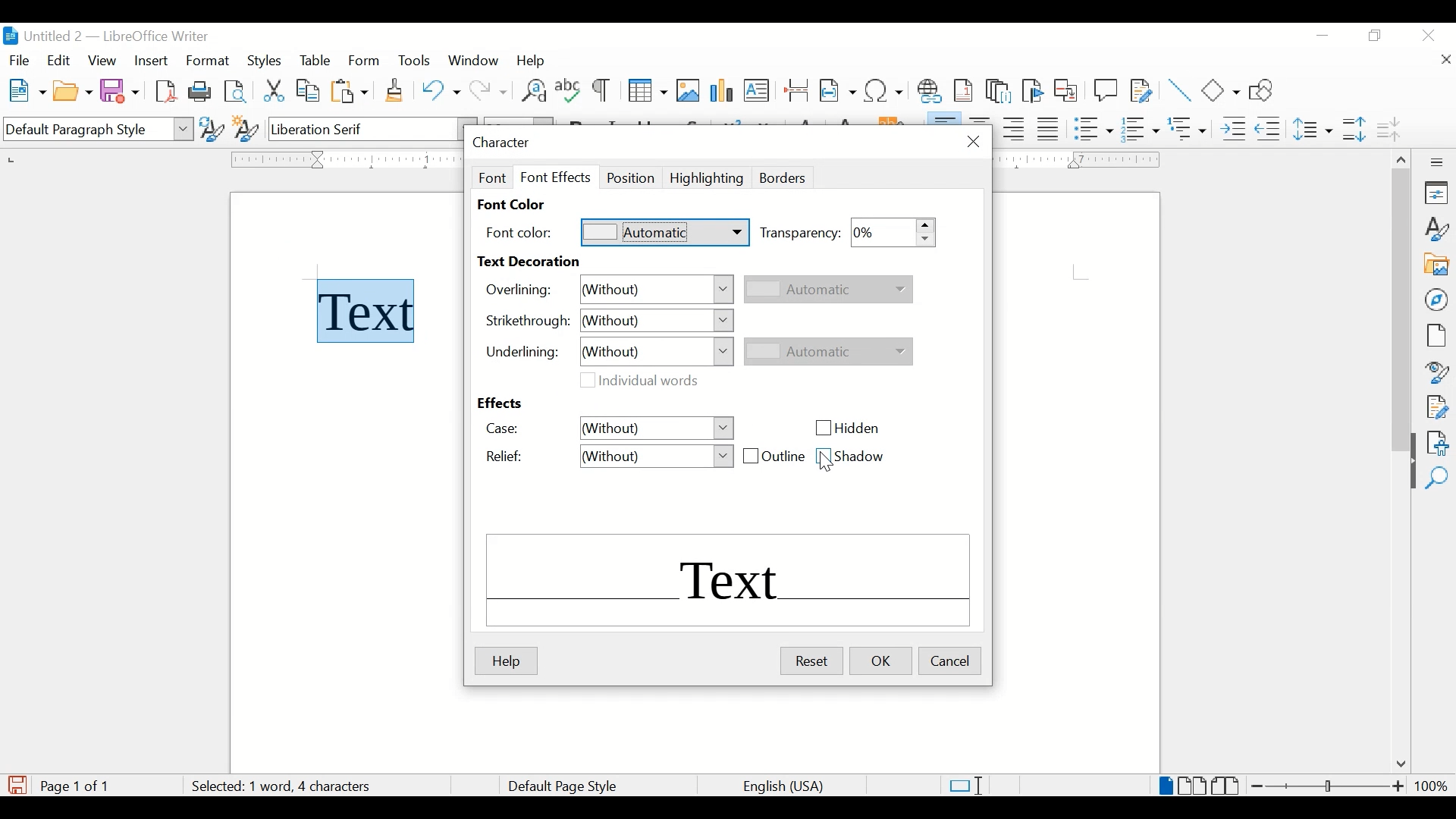  Describe the element at coordinates (1329, 786) in the screenshot. I see `zoom slider` at that location.